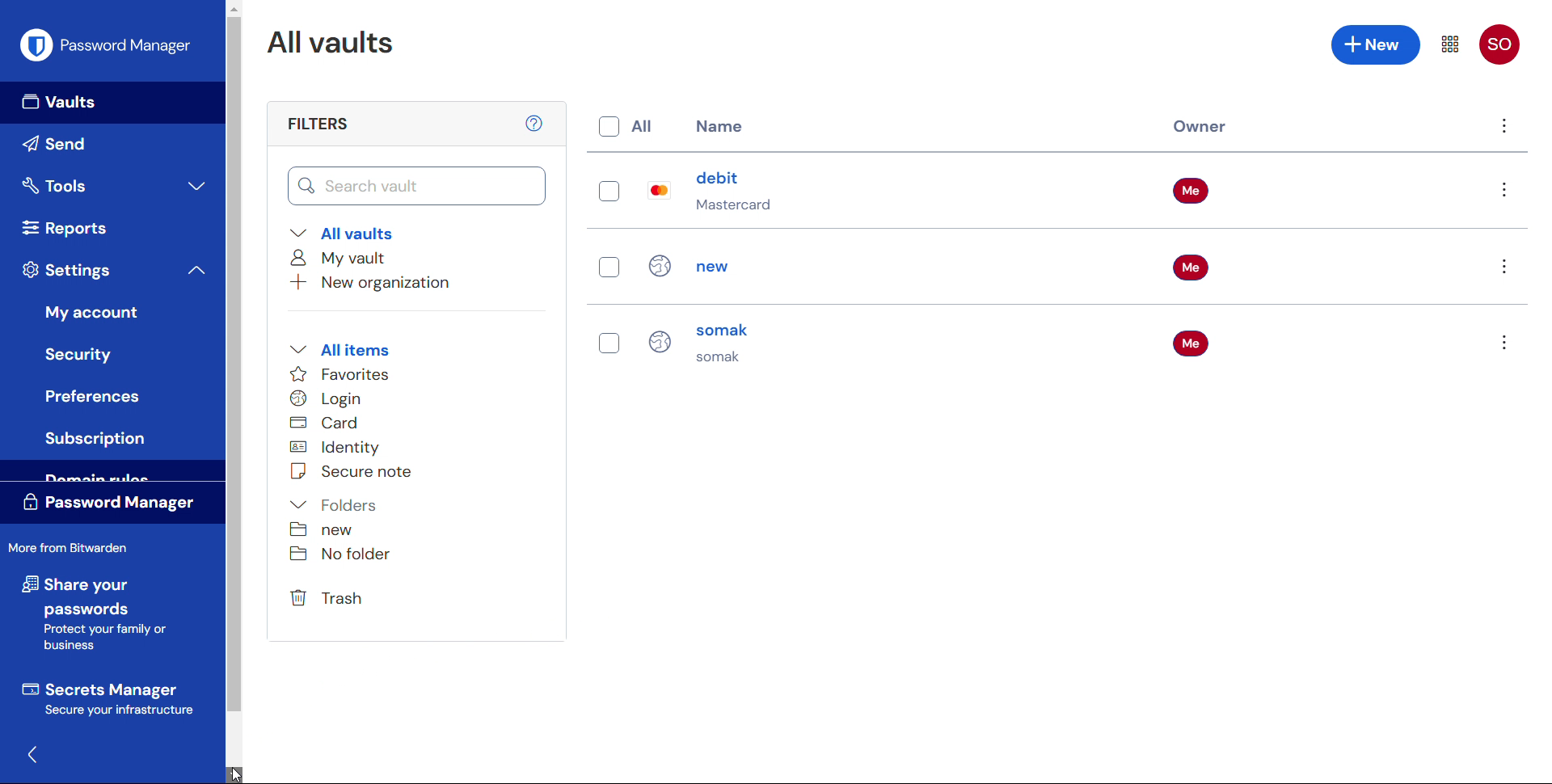  Describe the element at coordinates (33, 756) in the screenshot. I see `Hide sidebar ` at that location.